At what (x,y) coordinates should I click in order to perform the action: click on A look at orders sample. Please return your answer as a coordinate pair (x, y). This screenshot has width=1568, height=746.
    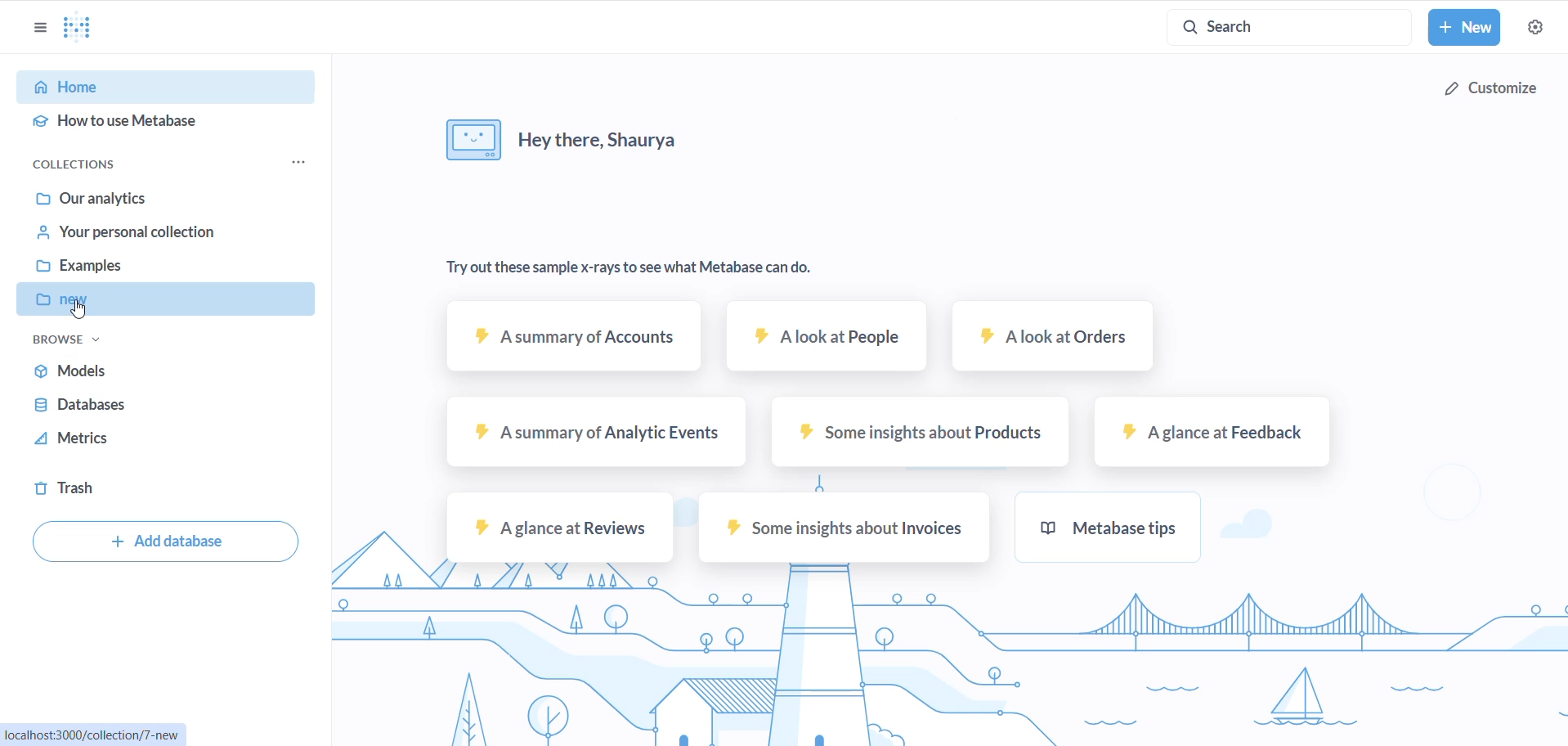
    Looking at the image, I should click on (1054, 342).